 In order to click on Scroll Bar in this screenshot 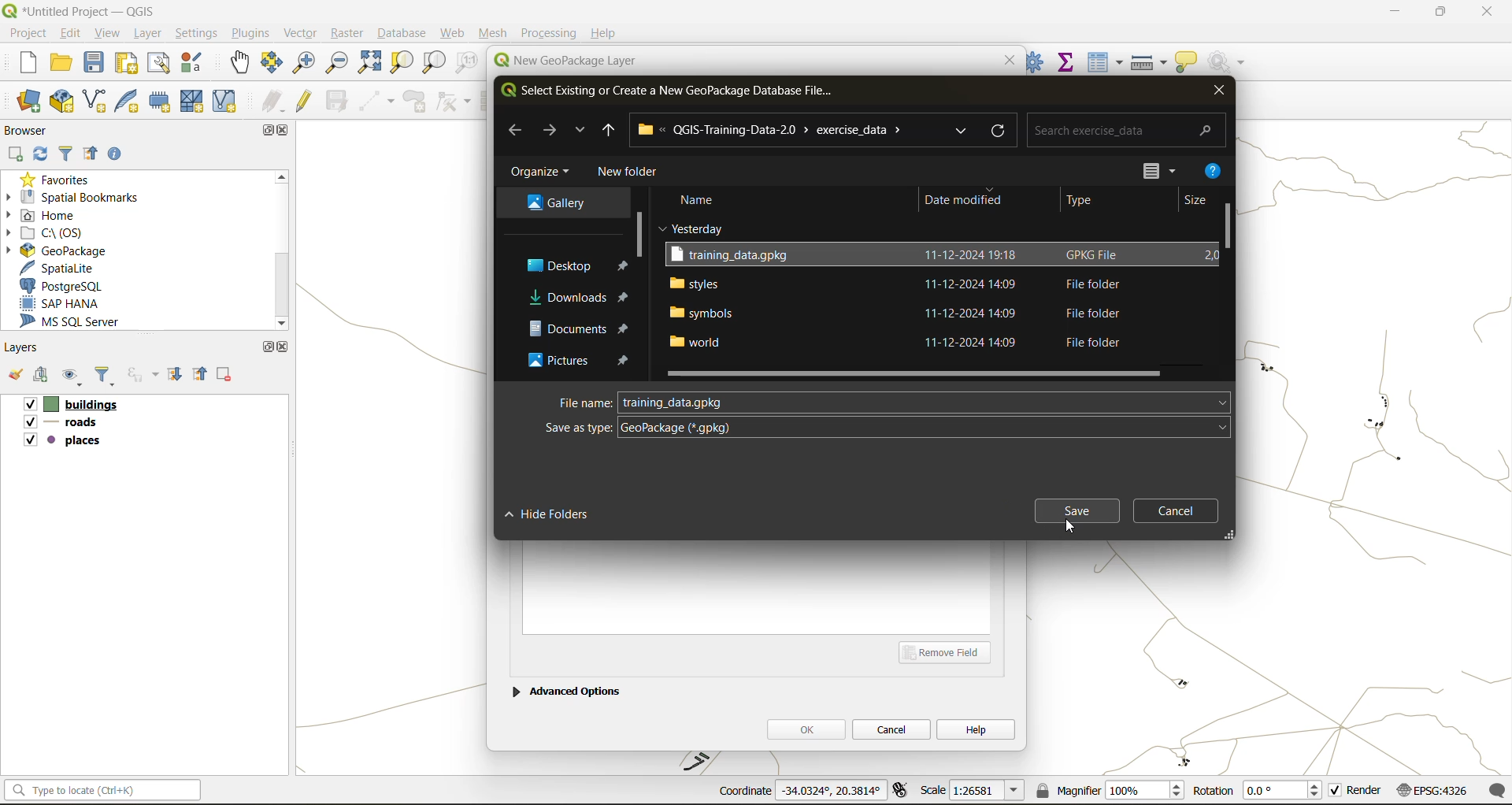, I will do `click(1227, 236)`.